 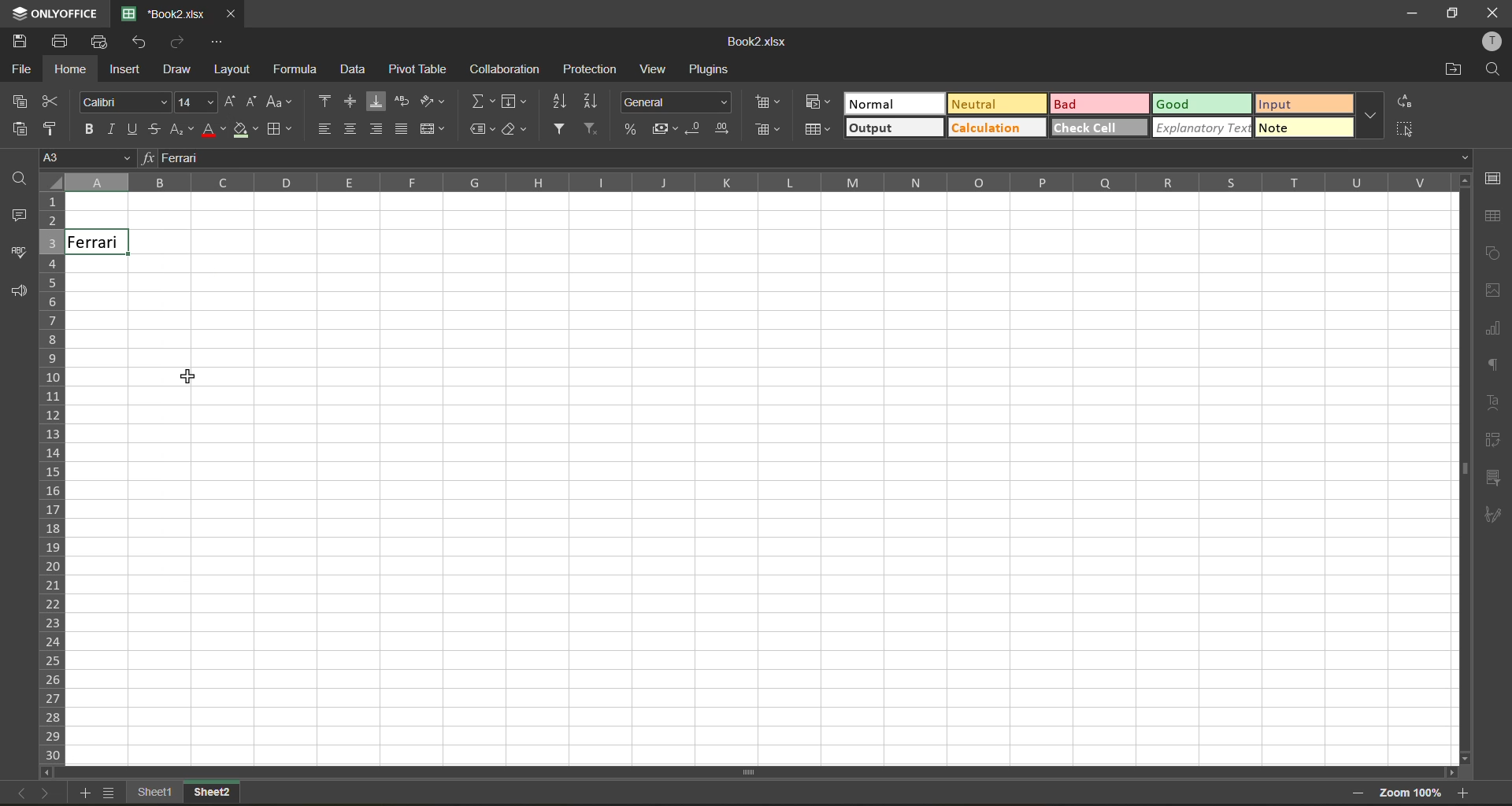 What do you see at coordinates (482, 126) in the screenshot?
I see `named ranges` at bounding box center [482, 126].